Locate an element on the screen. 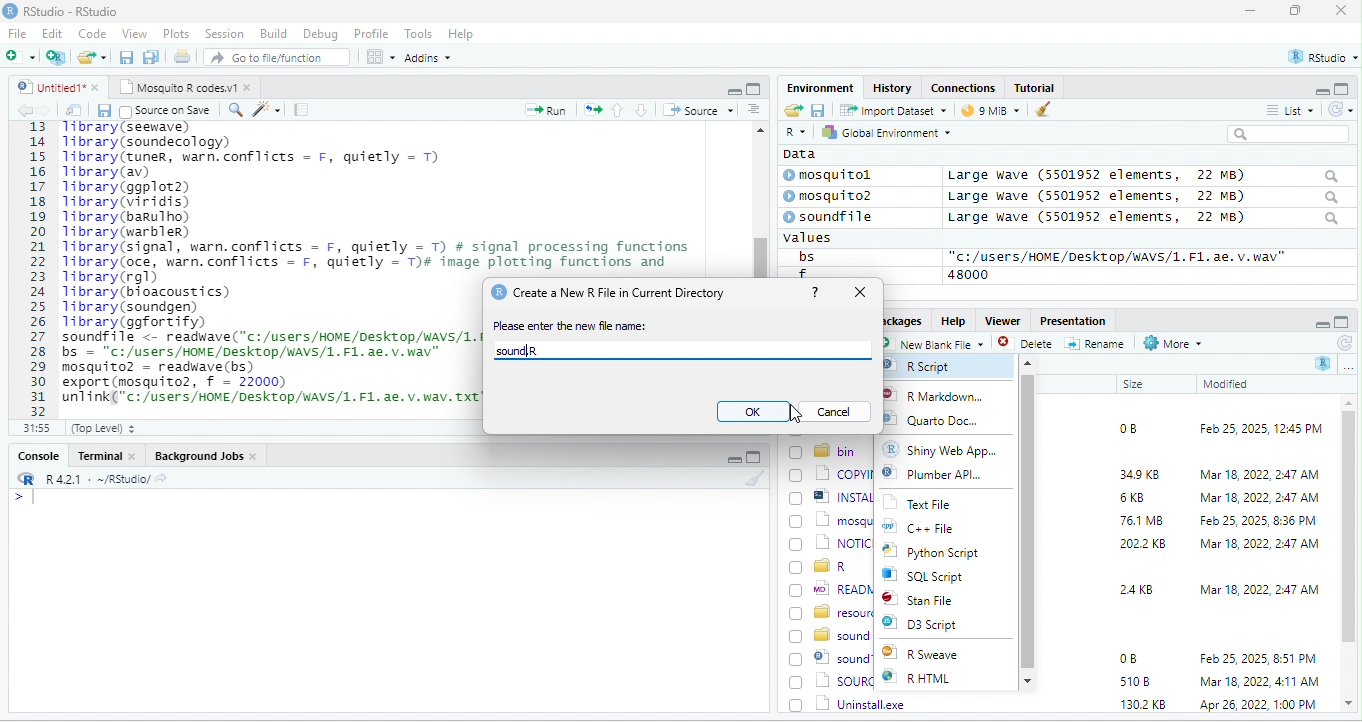 The width and height of the screenshot is (1362, 722). 1 mosquitol.txt is located at coordinates (827, 519).